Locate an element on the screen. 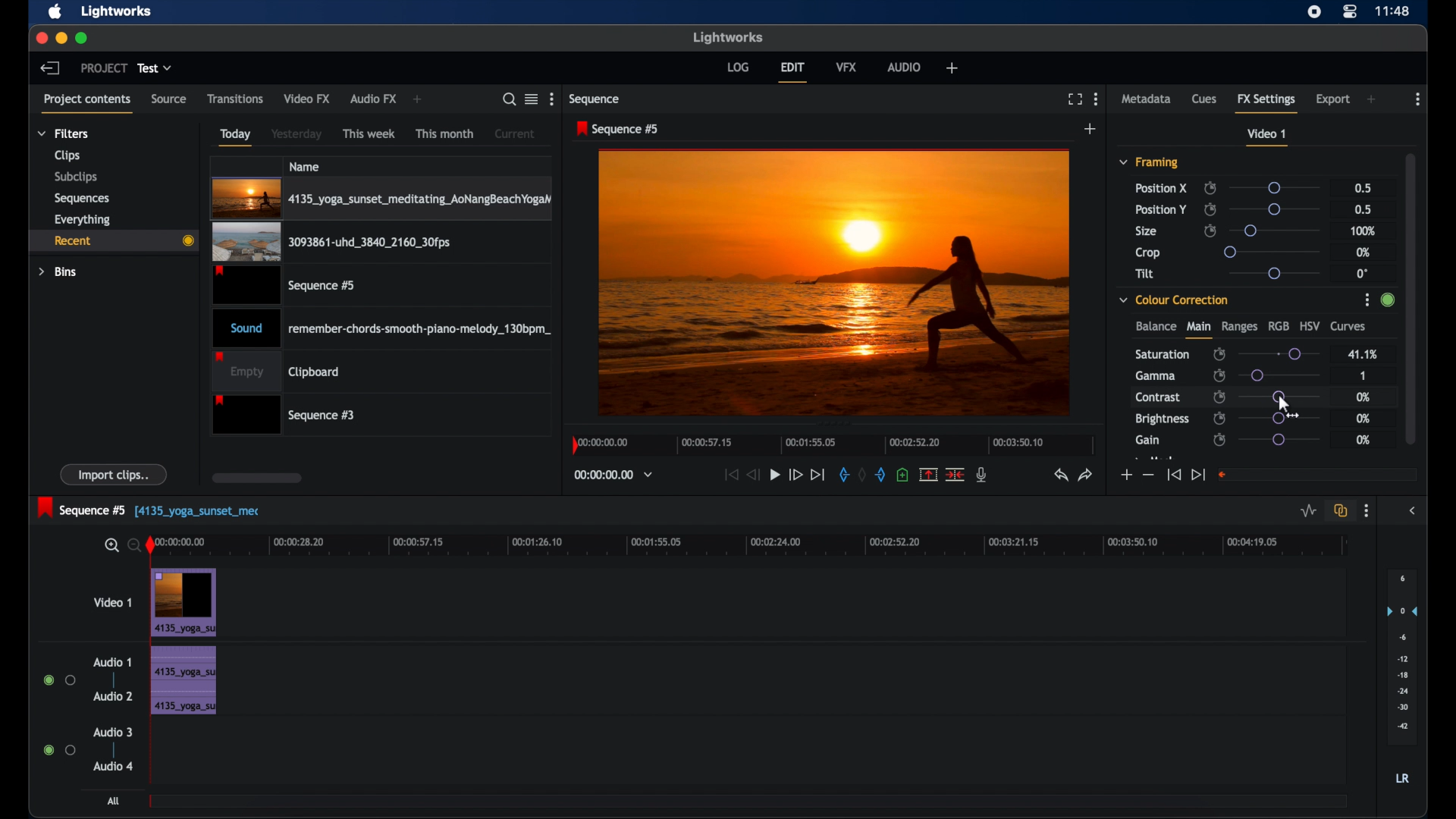 The height and width of the screenshot is (819, 1456). More Options is located at coordinates (1369, 301).